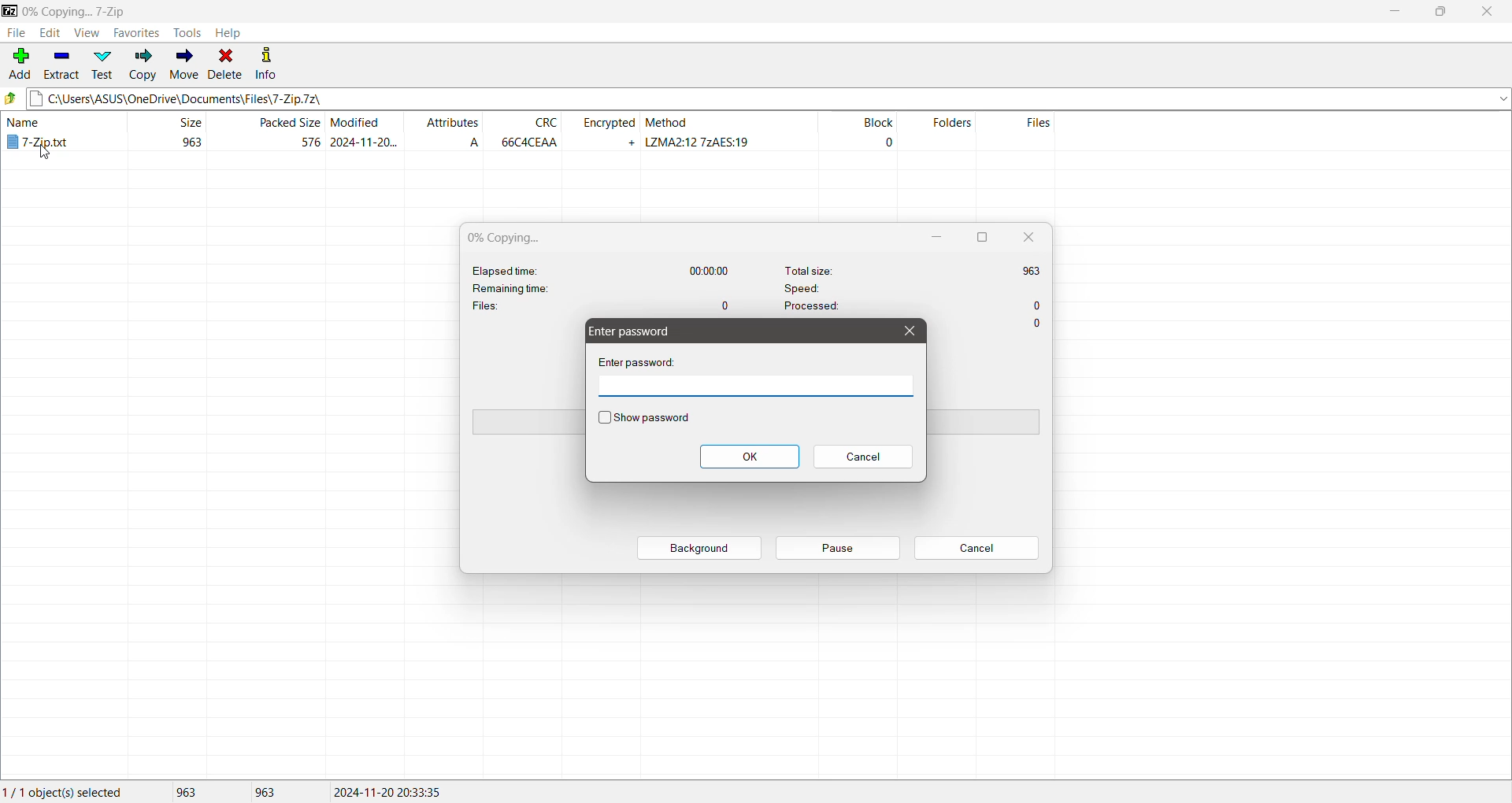 The height and width of the screenshot is (803, 1512). Describe the element at coordinates (756, 387) in the screenshot. I see `Enter the password set to open the archive file` at that location.